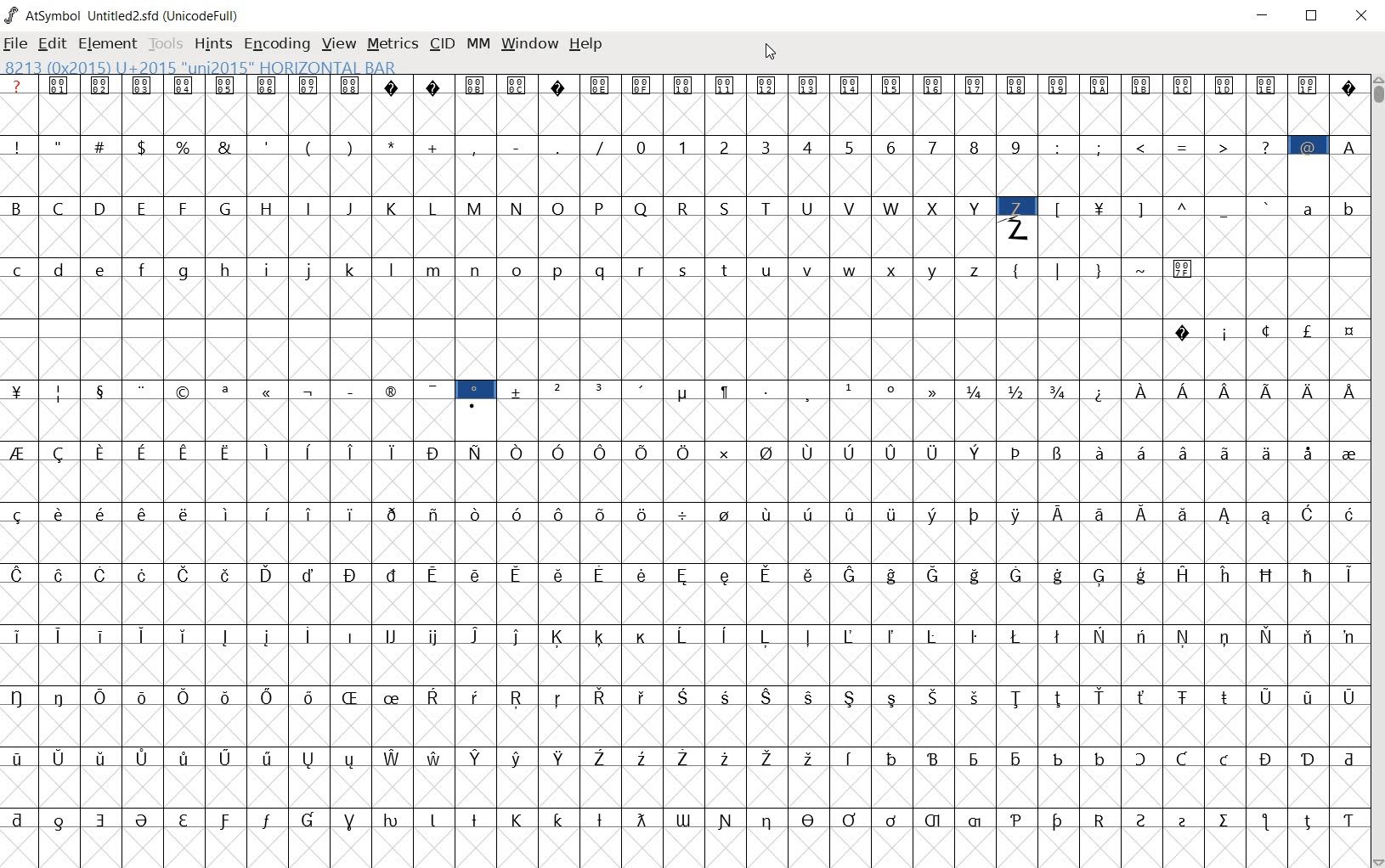  I want to click on CID, so click(442, 43).